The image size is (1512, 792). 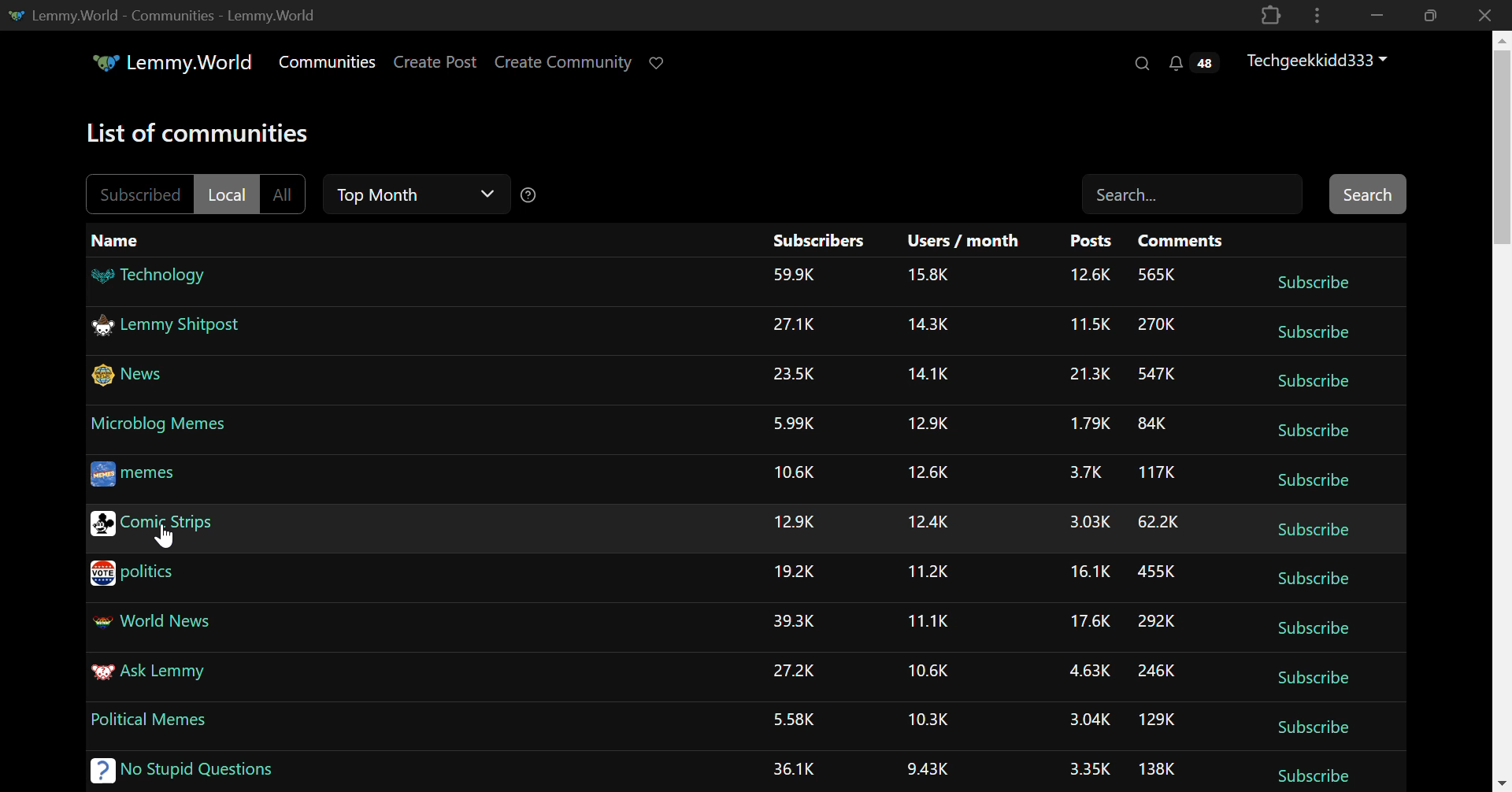 I want to click on 11.1K, so click(x=926, y=620).